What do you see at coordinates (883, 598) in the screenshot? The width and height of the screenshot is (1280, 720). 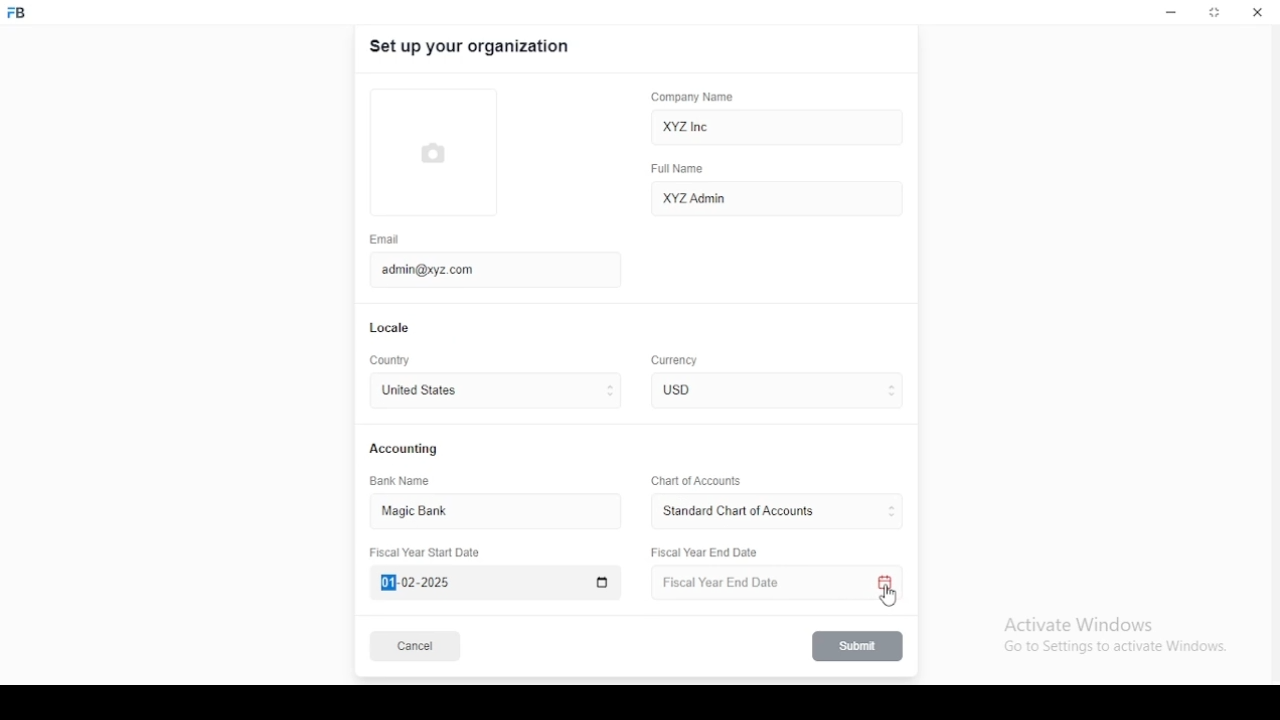 I see `mouse pointer` at bounding box center [883, 598].